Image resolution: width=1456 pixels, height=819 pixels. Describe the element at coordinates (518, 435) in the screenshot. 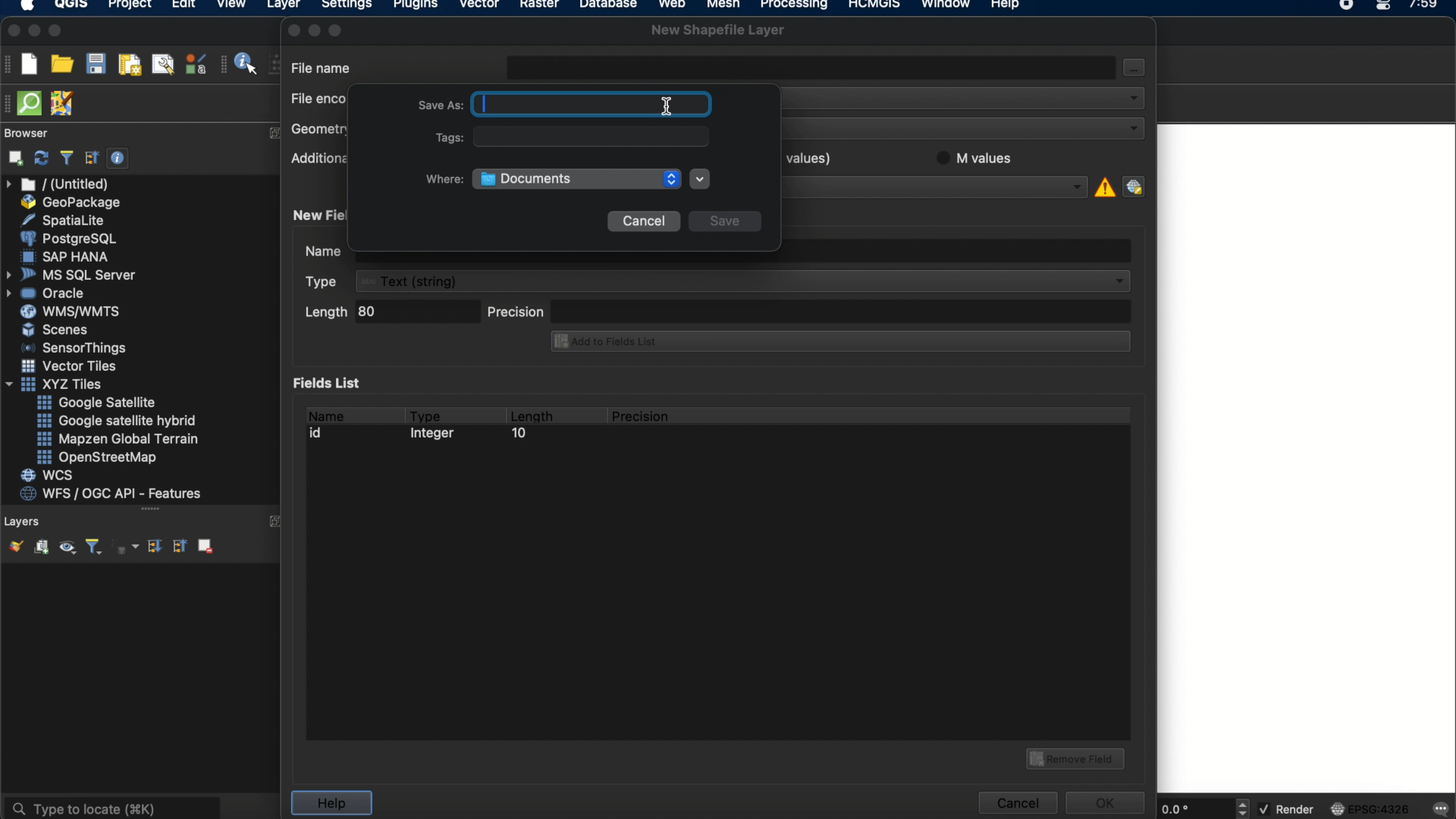

I see `10` at that location.